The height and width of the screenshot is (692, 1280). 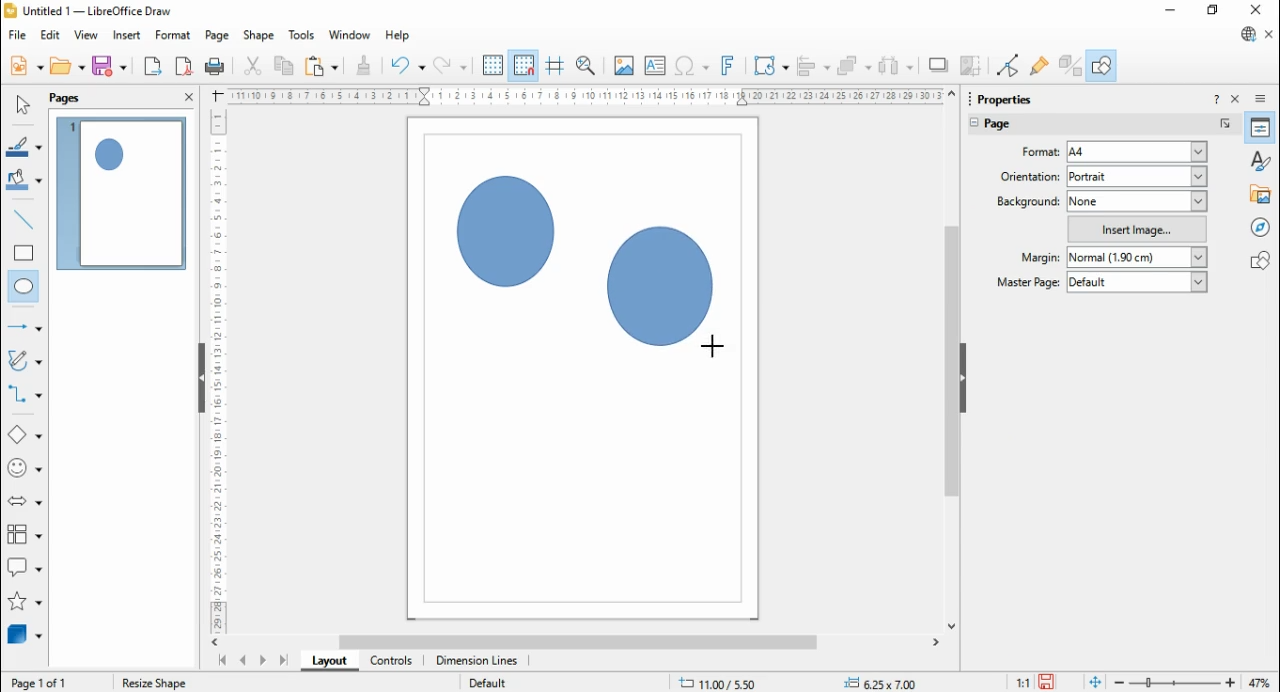 What do you see at coordinates (896, 67) in the screenshot?
I see `select at least three objects to distribute` at bounding box center [896, 67].